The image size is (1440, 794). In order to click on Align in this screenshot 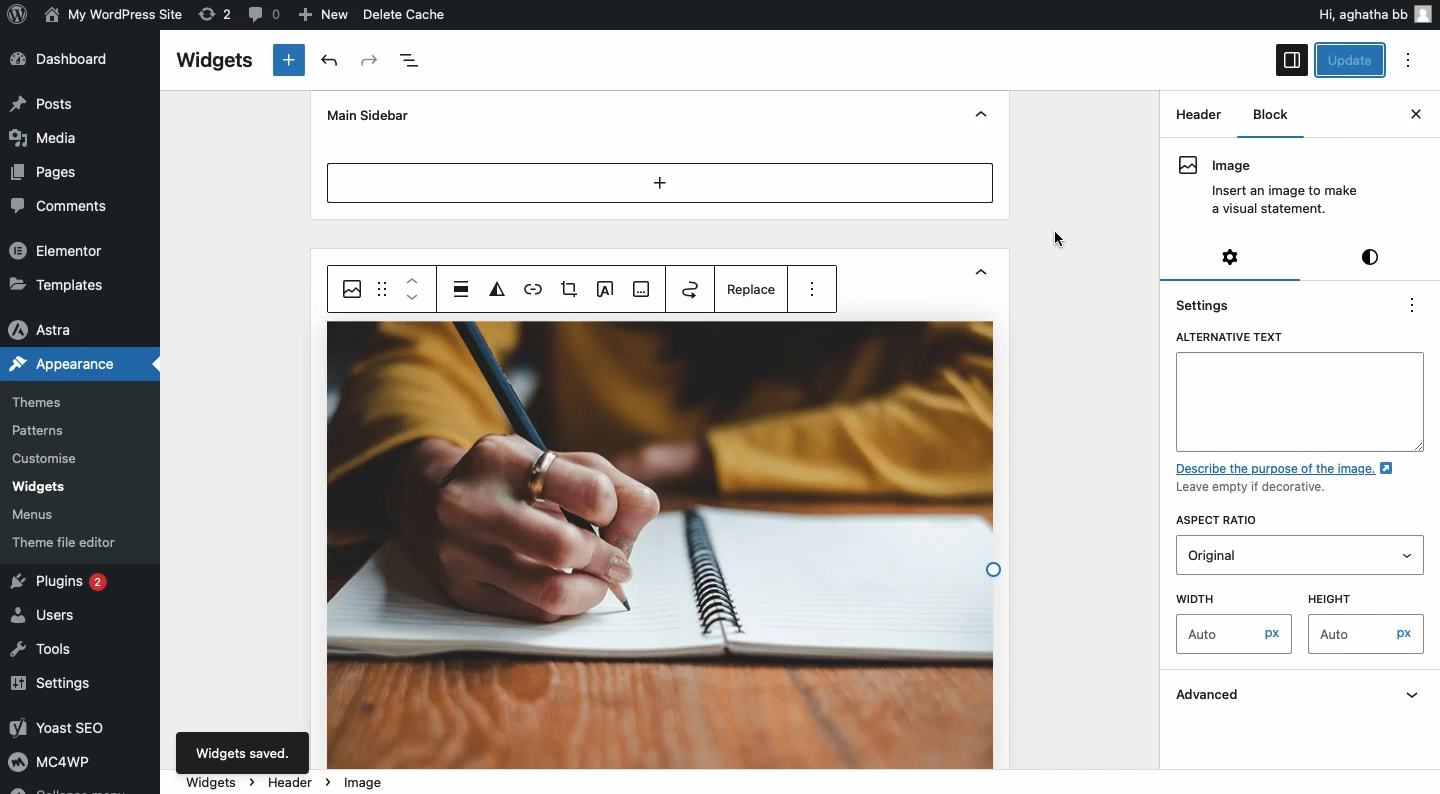, I will do `click(462, 288)`.